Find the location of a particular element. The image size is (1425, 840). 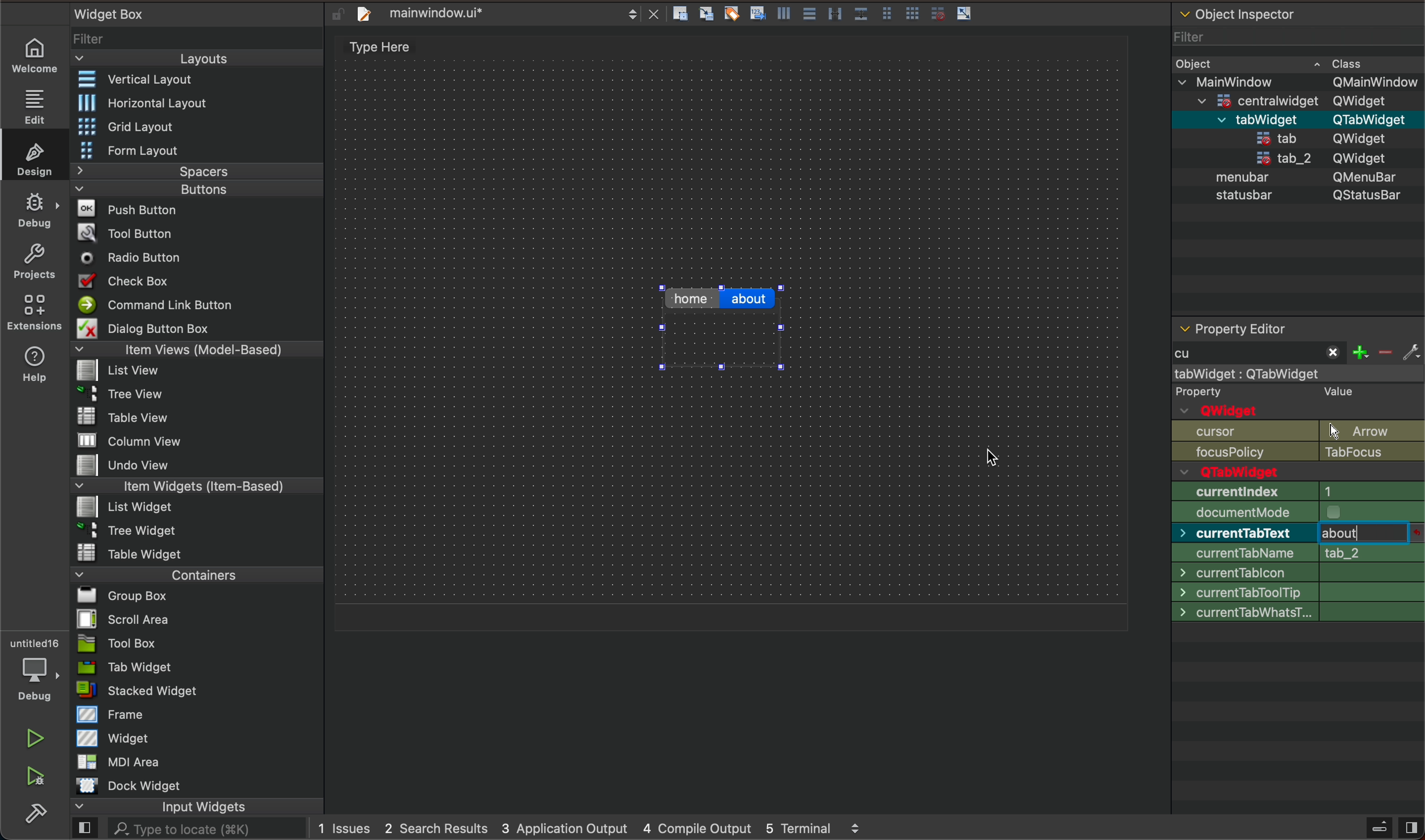

QWidget is located at coordinates (1362, 157).